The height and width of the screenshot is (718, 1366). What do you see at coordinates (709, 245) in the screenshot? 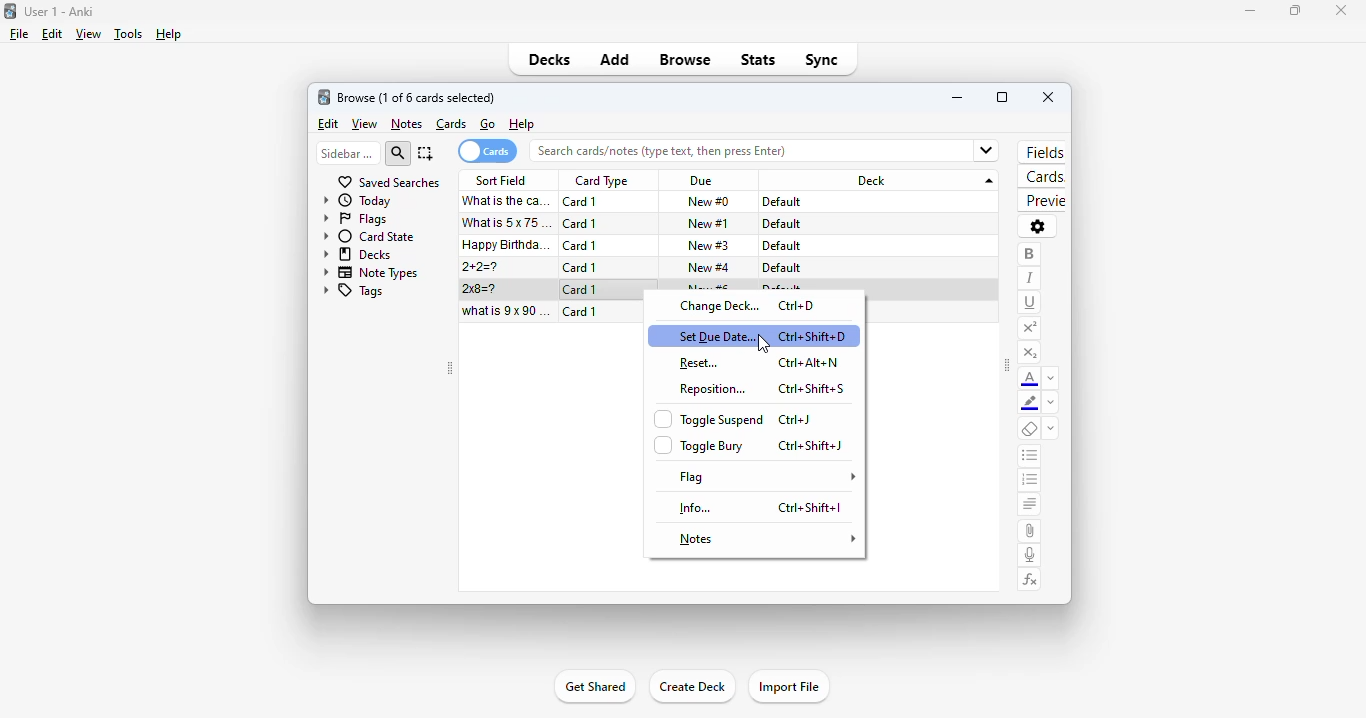
I see `new #3` at bounding box center [709, 245].